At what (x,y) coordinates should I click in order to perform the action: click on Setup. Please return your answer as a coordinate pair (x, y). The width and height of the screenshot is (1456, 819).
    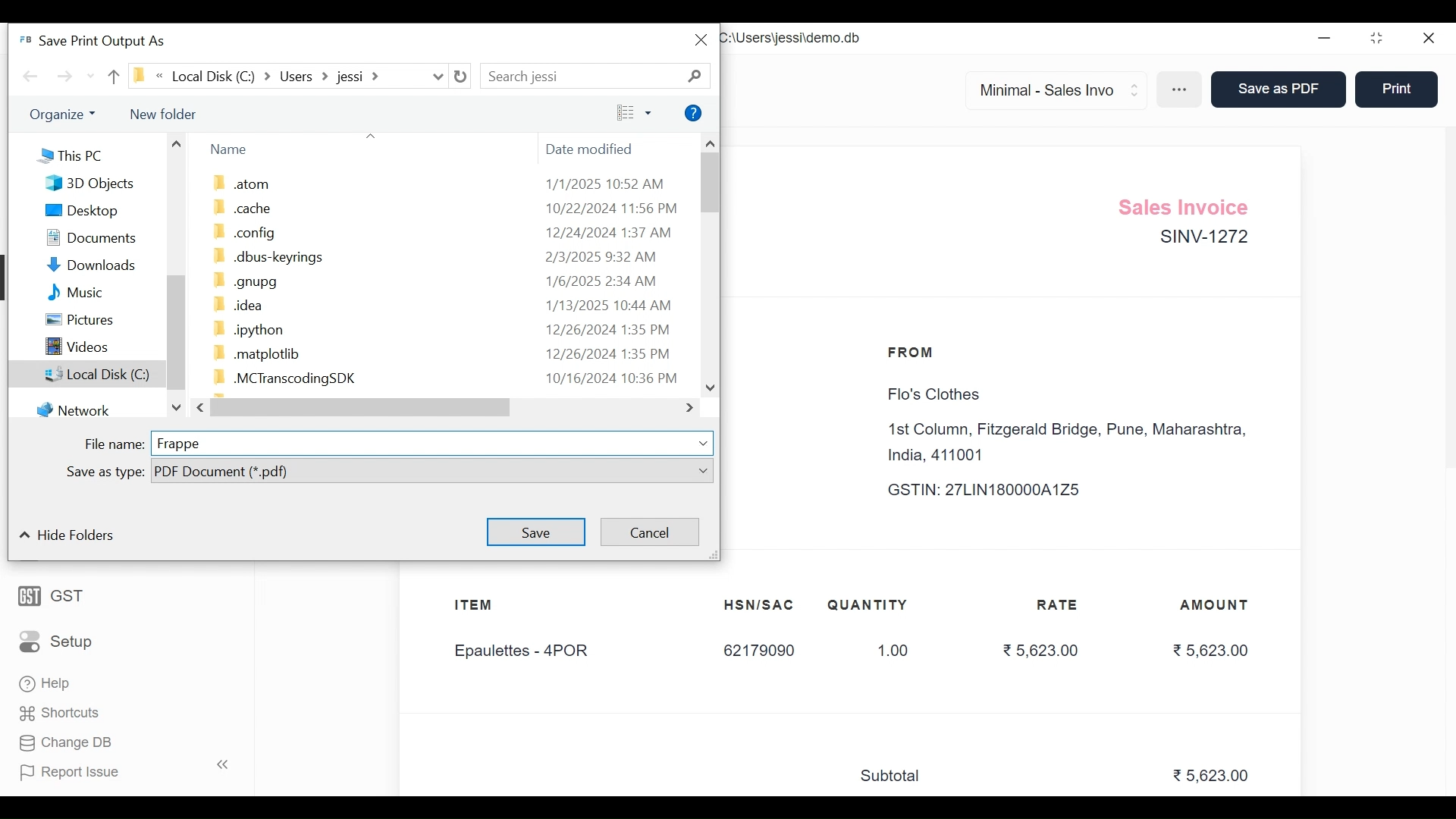
    Looking at the image, I should click on (56, 640).